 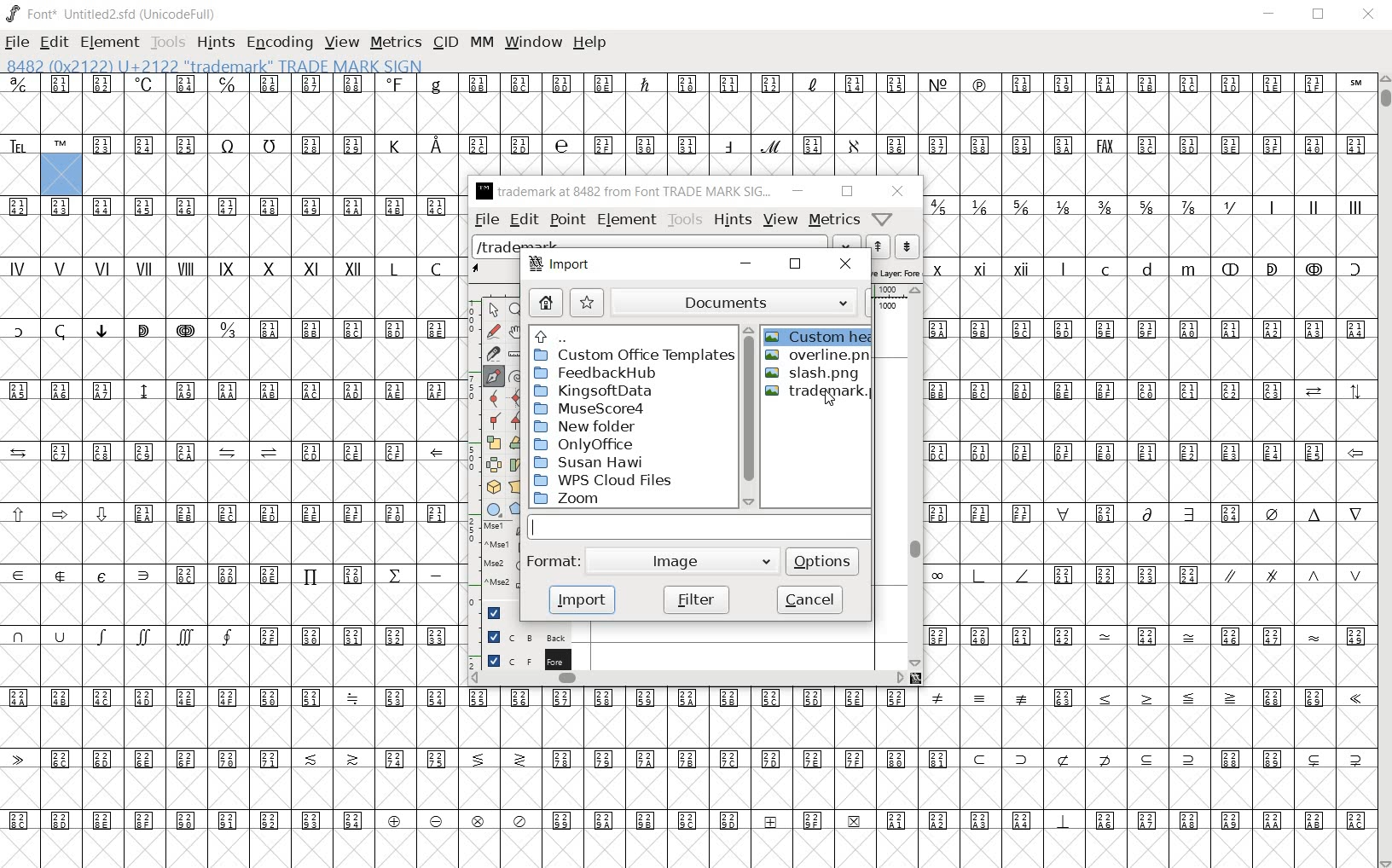 What do you see at coordinates (686, 124) in the screenshot?
I see `symbols` at bounding box center [686, 124].